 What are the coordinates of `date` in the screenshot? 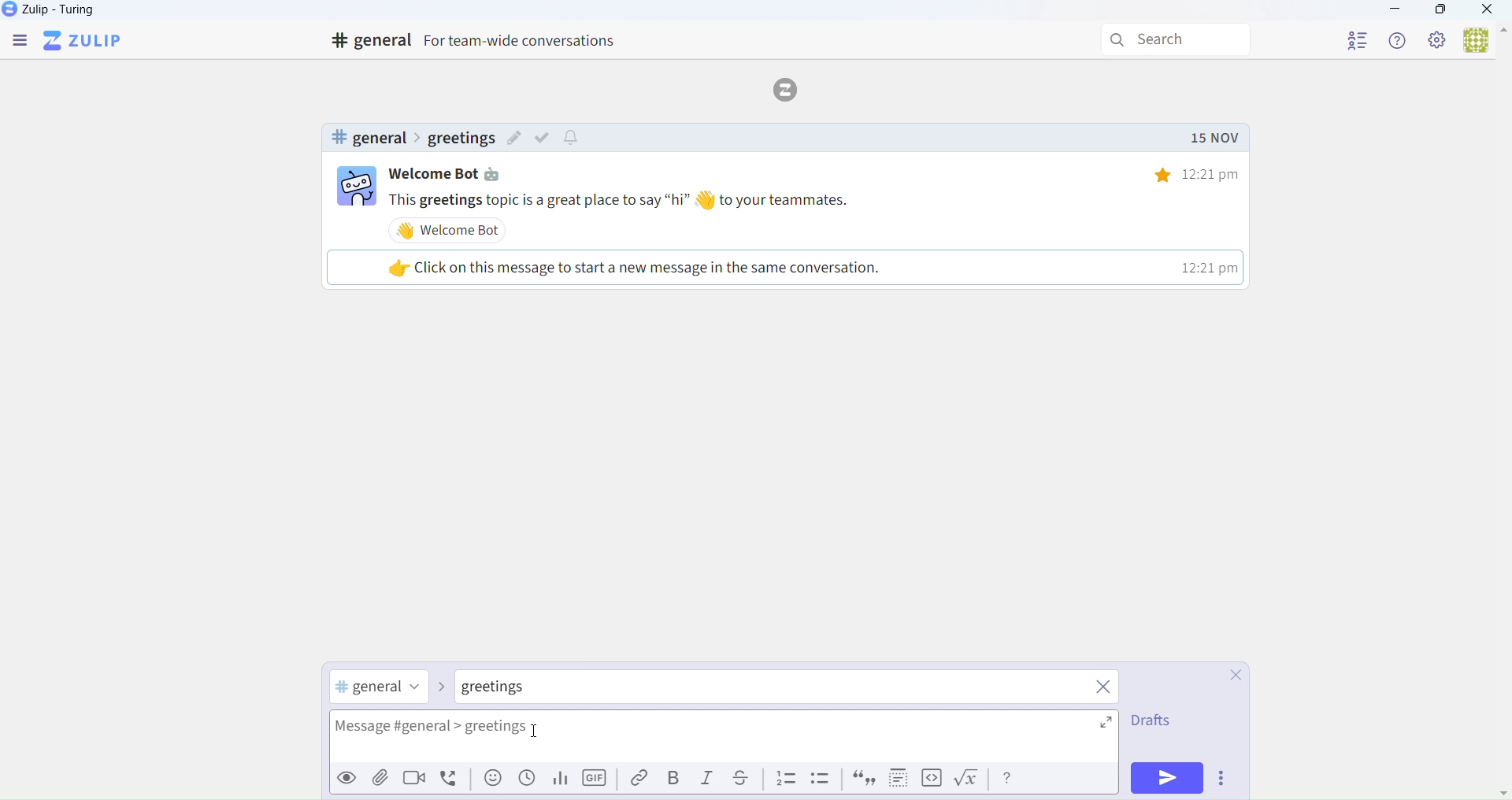 It's located at (1214, 139).